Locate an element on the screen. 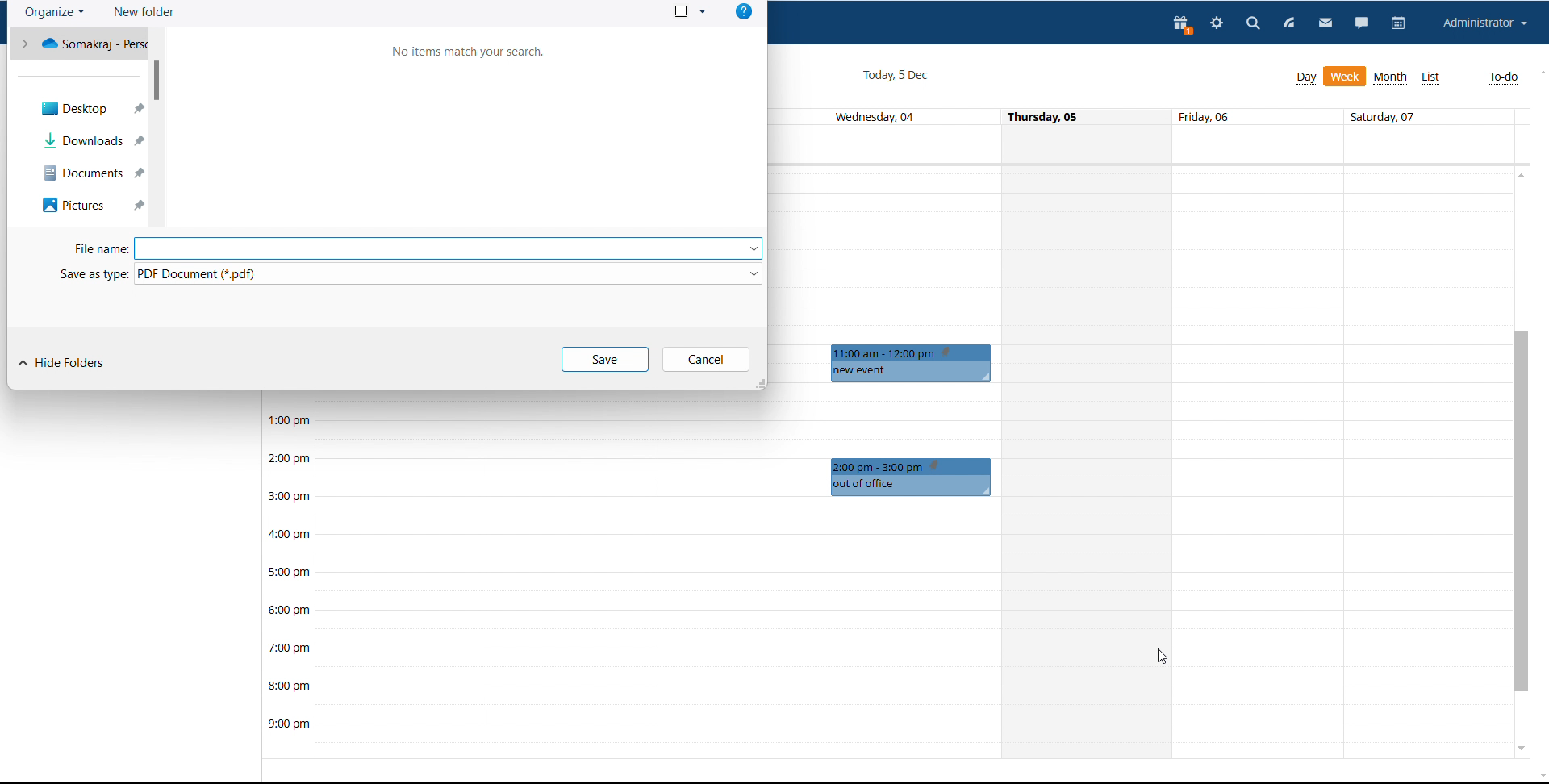  scroll down is located at coordinates (1519, 748).